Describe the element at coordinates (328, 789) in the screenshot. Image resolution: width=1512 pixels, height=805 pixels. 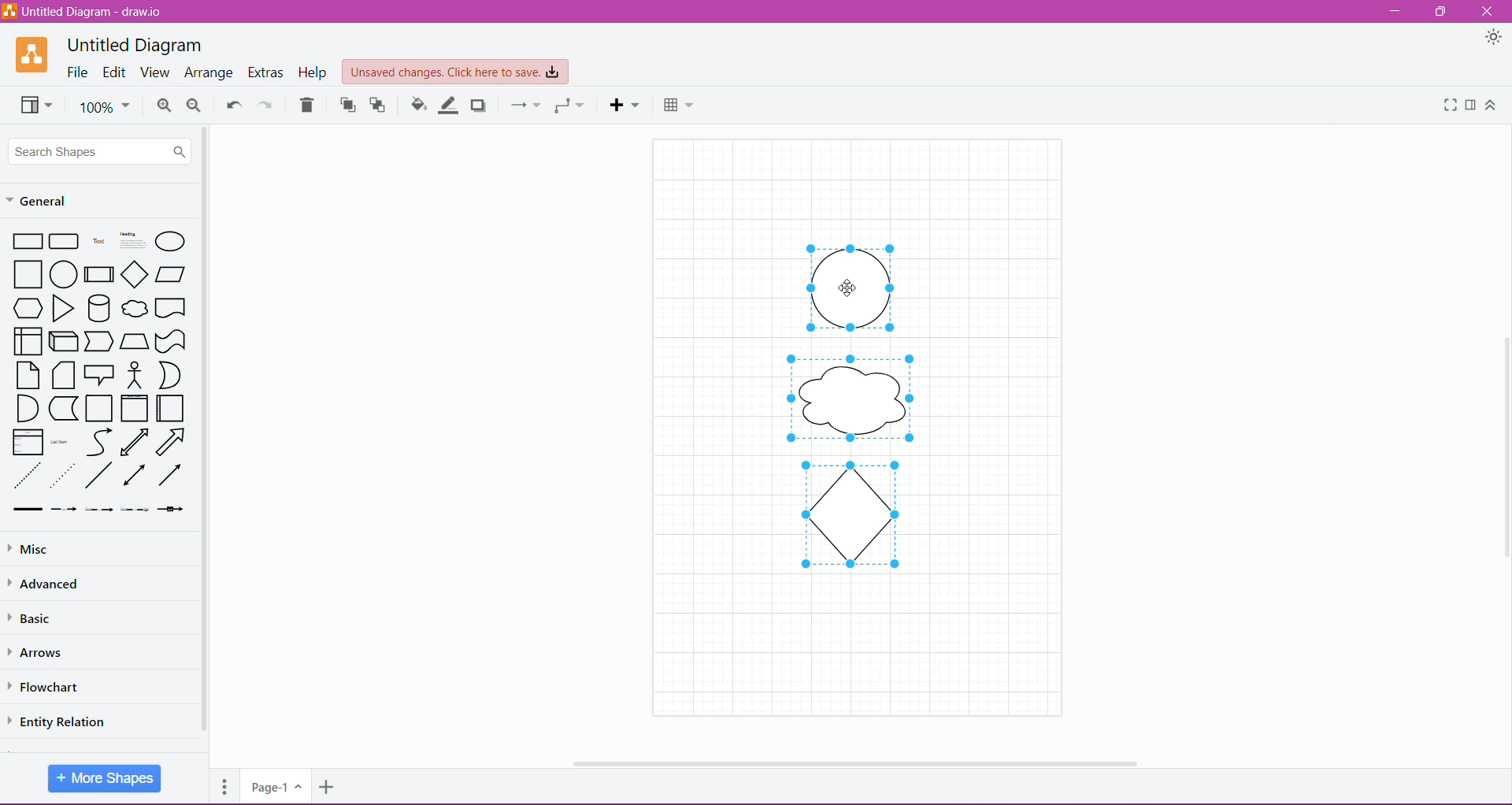
I see `Insert Page` at that location.